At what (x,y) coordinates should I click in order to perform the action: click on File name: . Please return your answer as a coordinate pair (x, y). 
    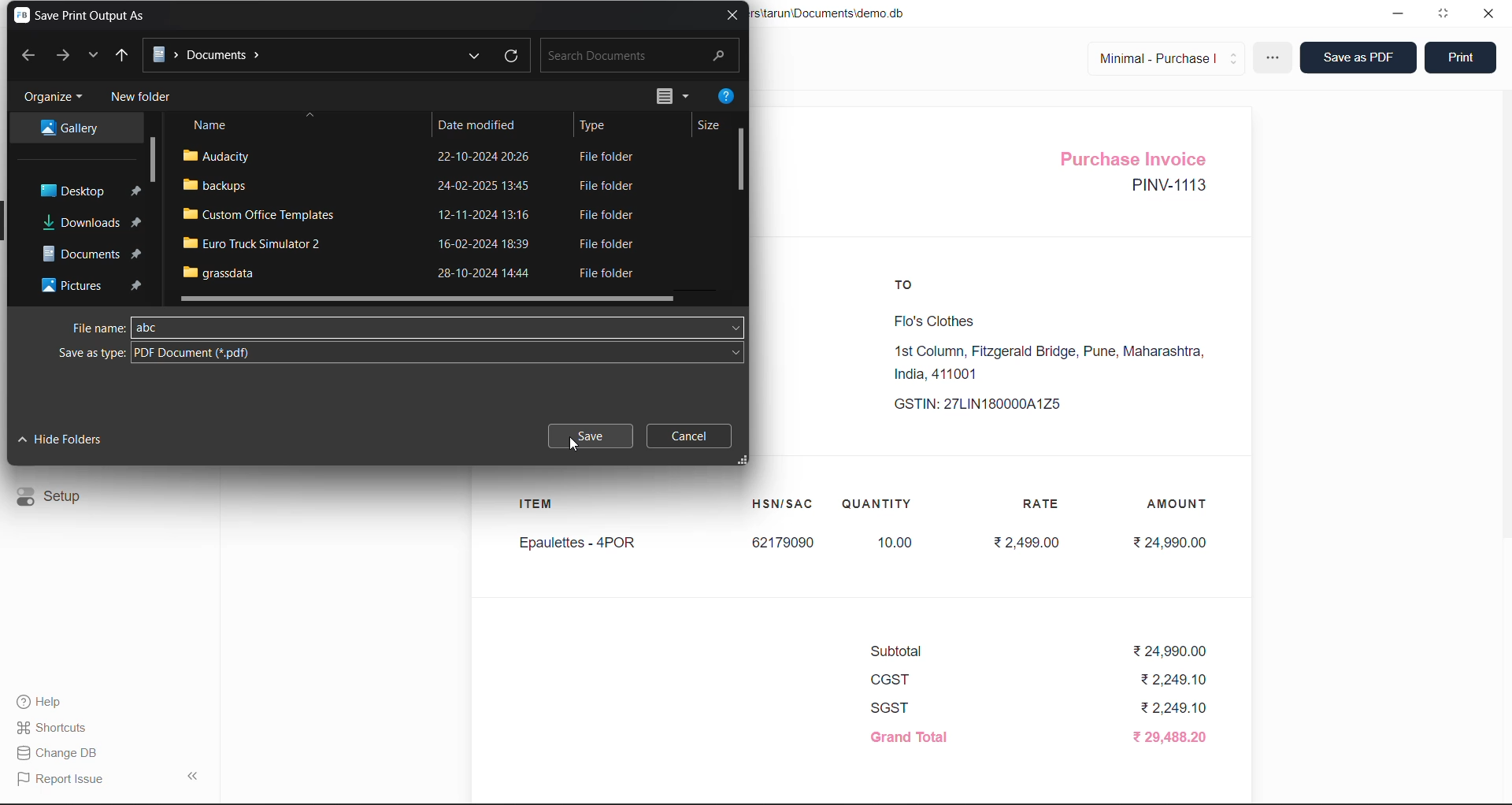
    Looking at the image, I should click on (99, 328).